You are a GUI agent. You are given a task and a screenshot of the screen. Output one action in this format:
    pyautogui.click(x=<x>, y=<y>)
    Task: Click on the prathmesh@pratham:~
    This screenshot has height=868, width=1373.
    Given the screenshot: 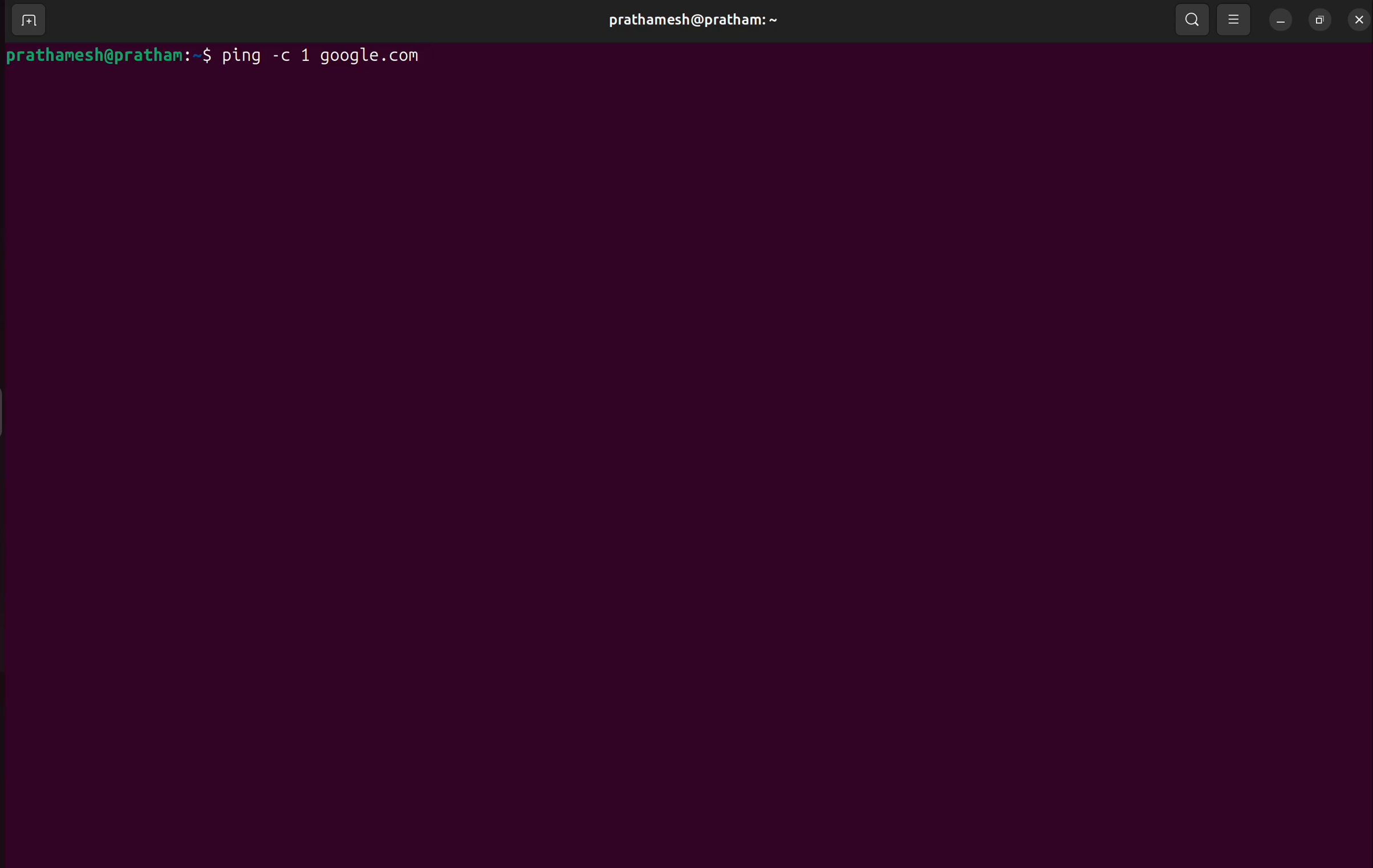 What is the action you would take?
    pyautogui.click(x=692, y=20)
    